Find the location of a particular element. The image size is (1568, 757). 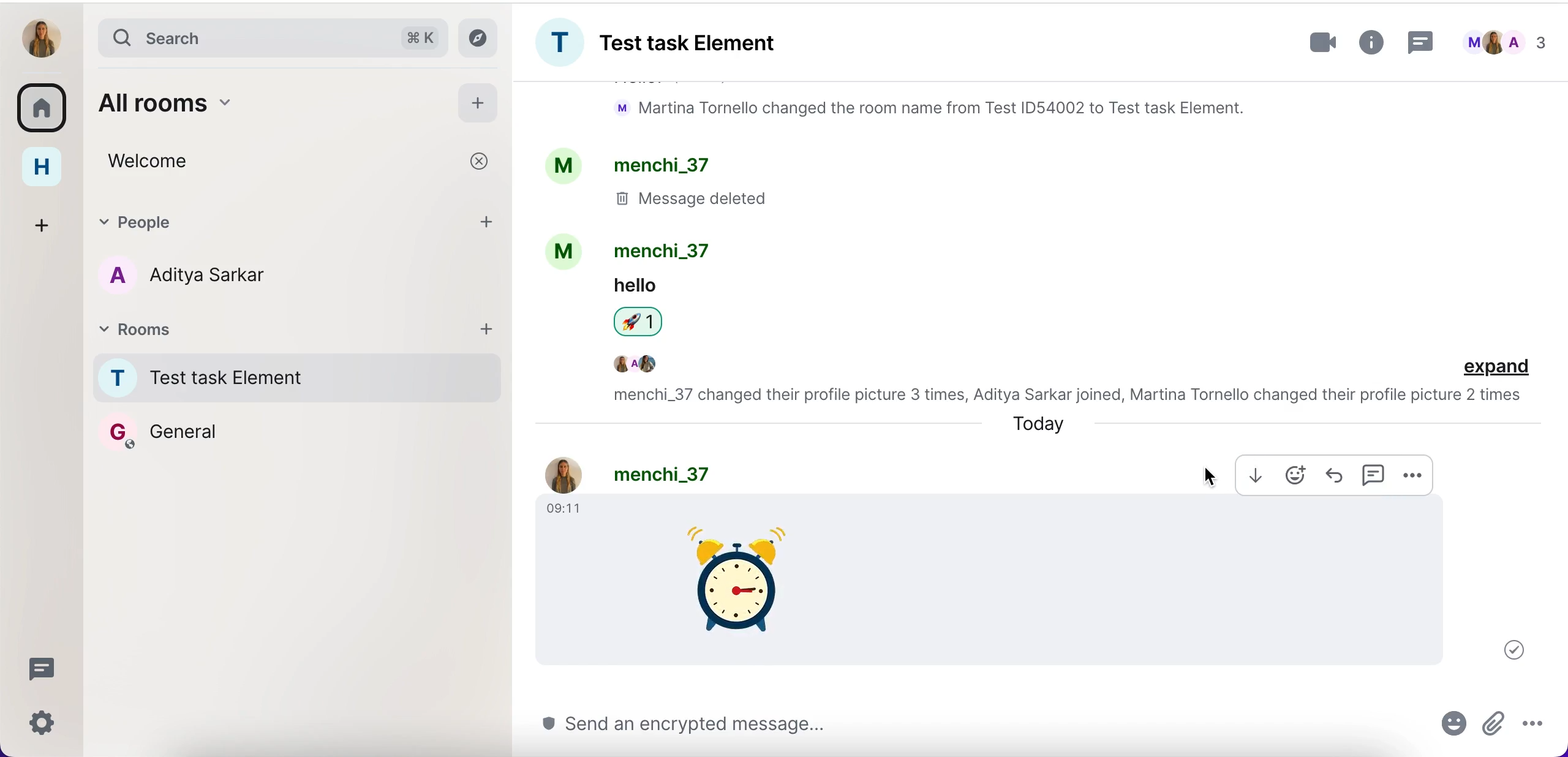

welcome is located at coordinates (242, 160).